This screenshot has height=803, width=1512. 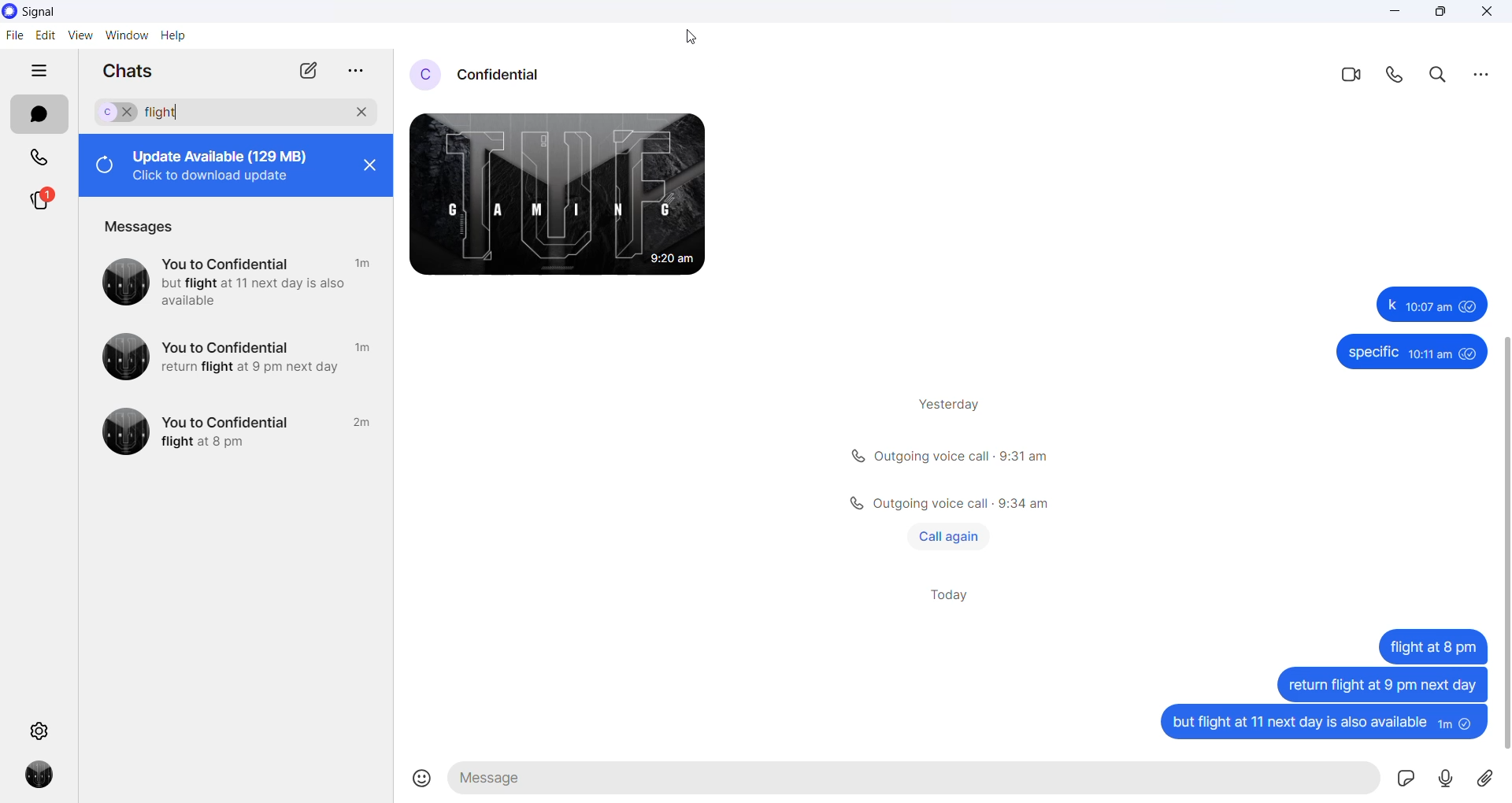 What do you see at coordinates (918, 779) in the screenshot?
I see `message text area` at bounding box center [918, 779].